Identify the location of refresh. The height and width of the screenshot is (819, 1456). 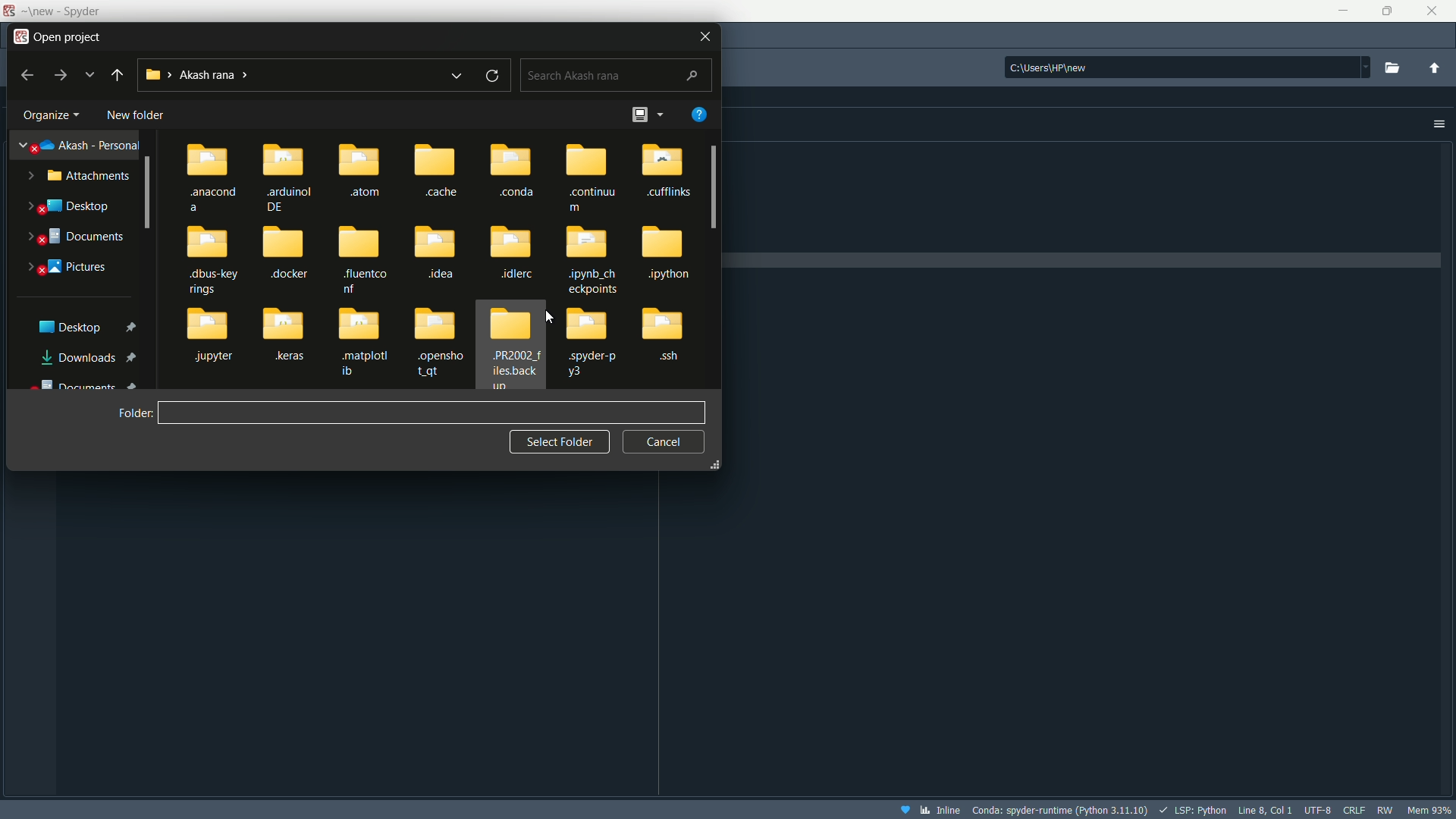
(493, 74).